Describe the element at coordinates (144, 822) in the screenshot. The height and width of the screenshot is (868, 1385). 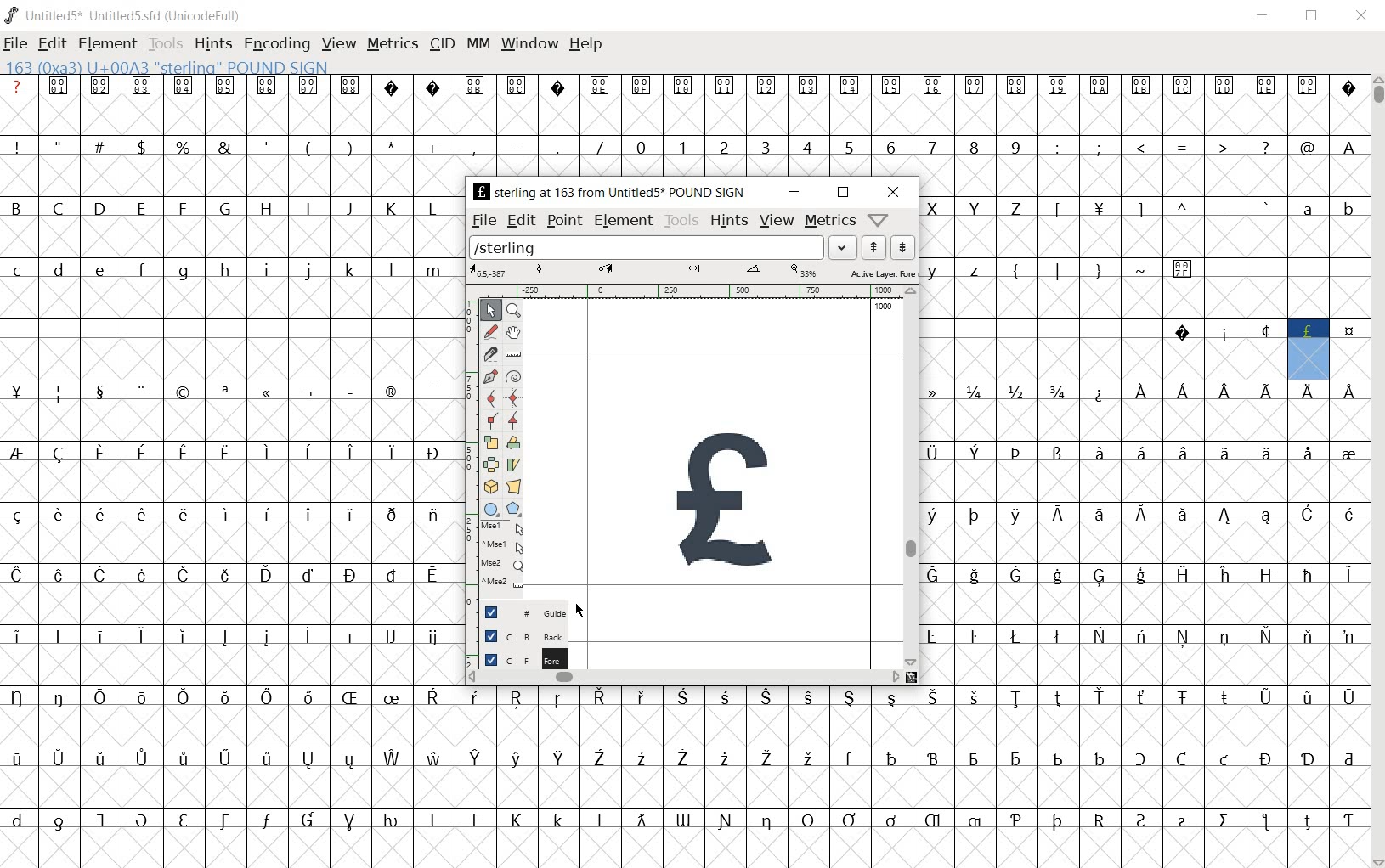
I see `Symbol` at that location.